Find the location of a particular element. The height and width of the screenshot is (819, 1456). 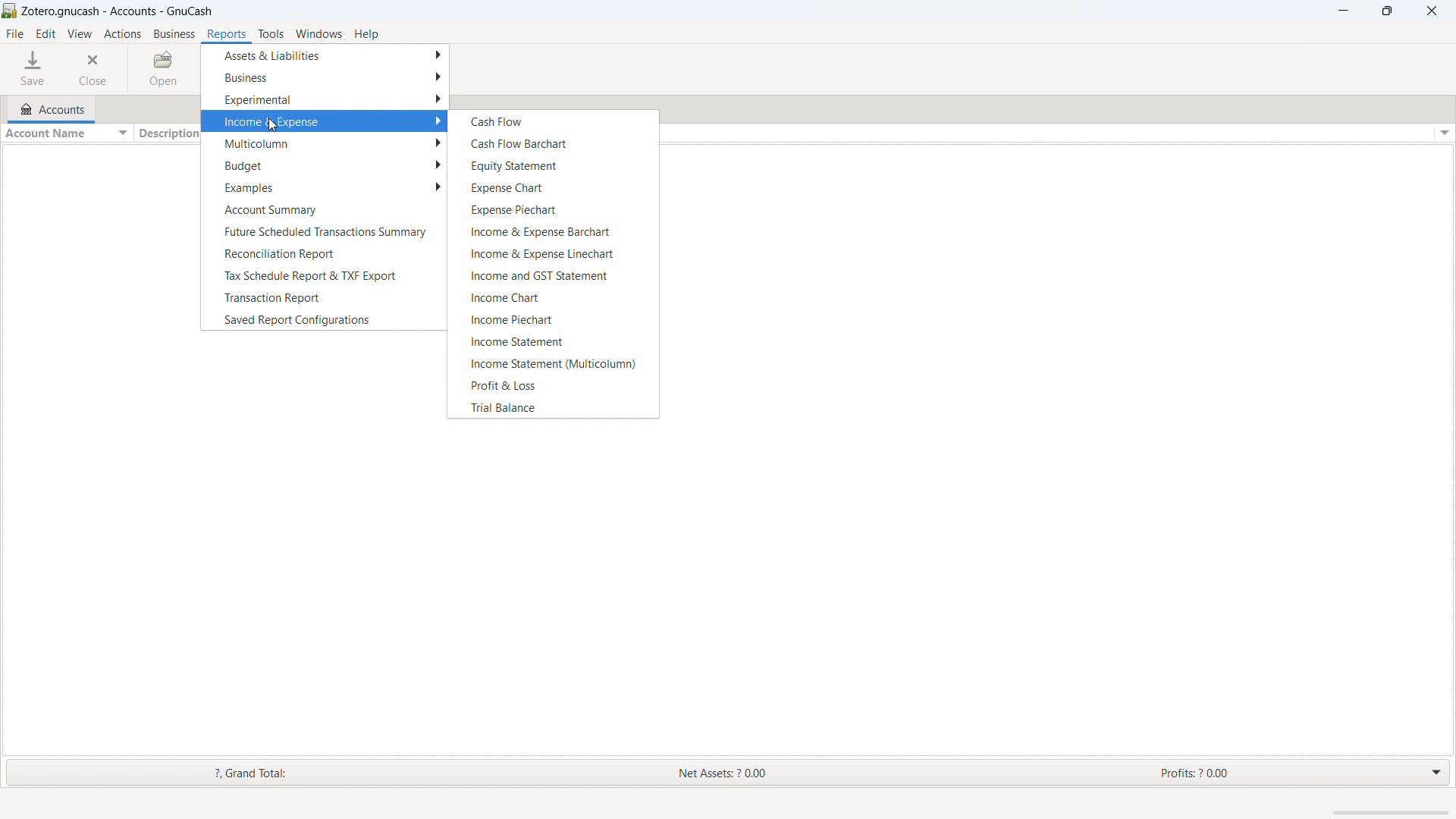

budget is located at coordinates (322, 165).